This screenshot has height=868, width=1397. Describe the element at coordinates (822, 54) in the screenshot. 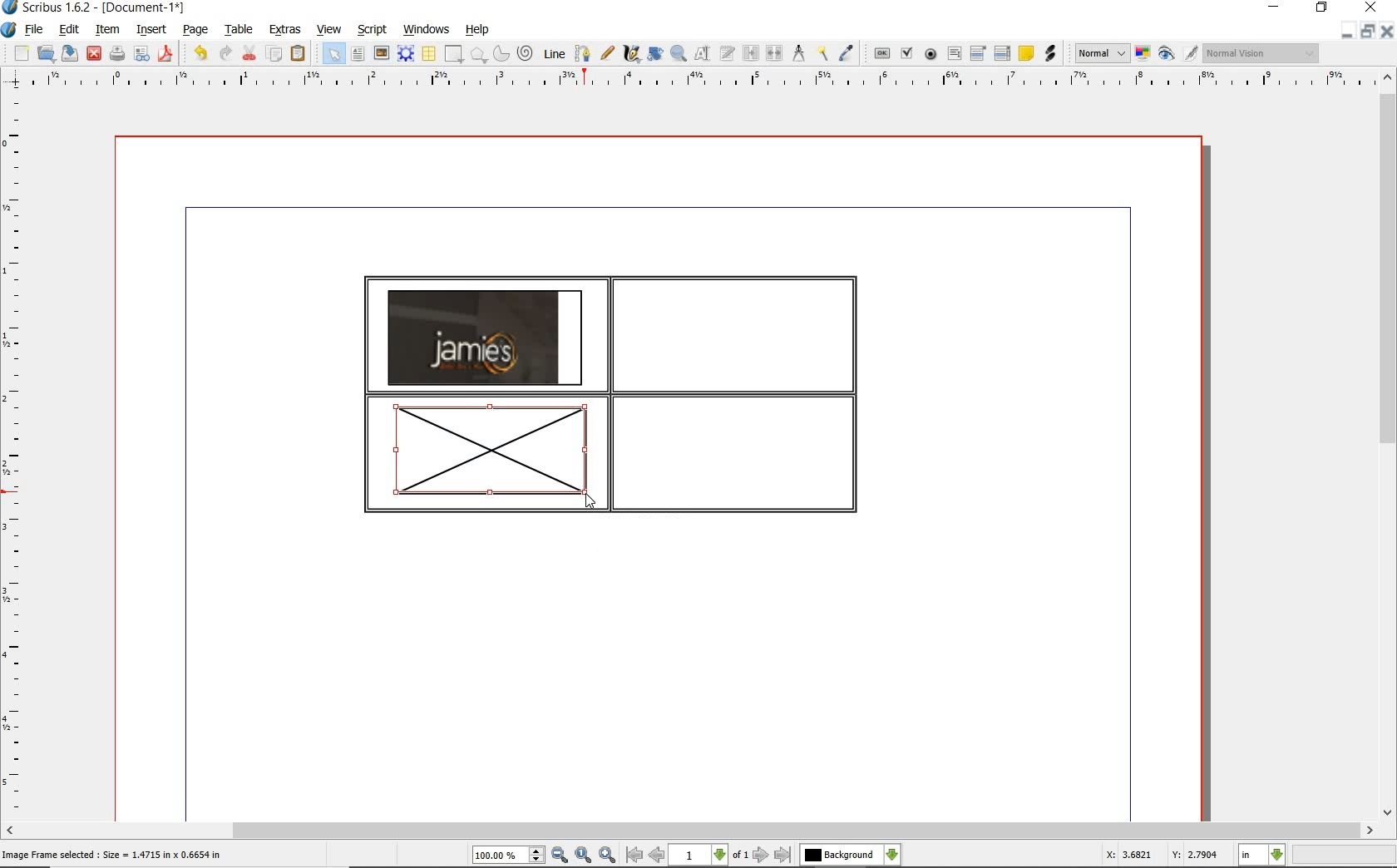

I see `copy item properties` at that location.